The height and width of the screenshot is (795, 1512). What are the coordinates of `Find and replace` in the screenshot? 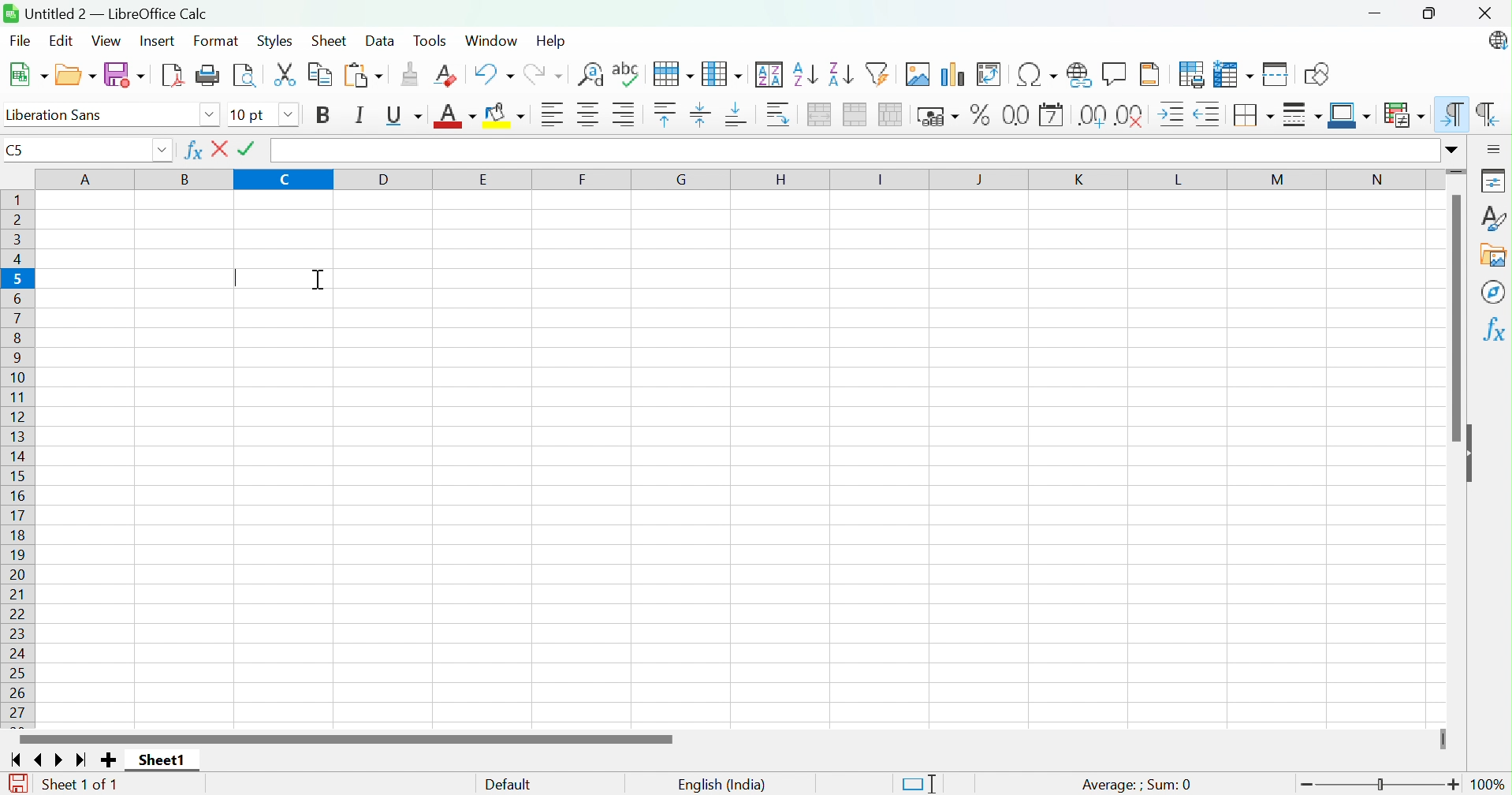 It's located at (628, 74).